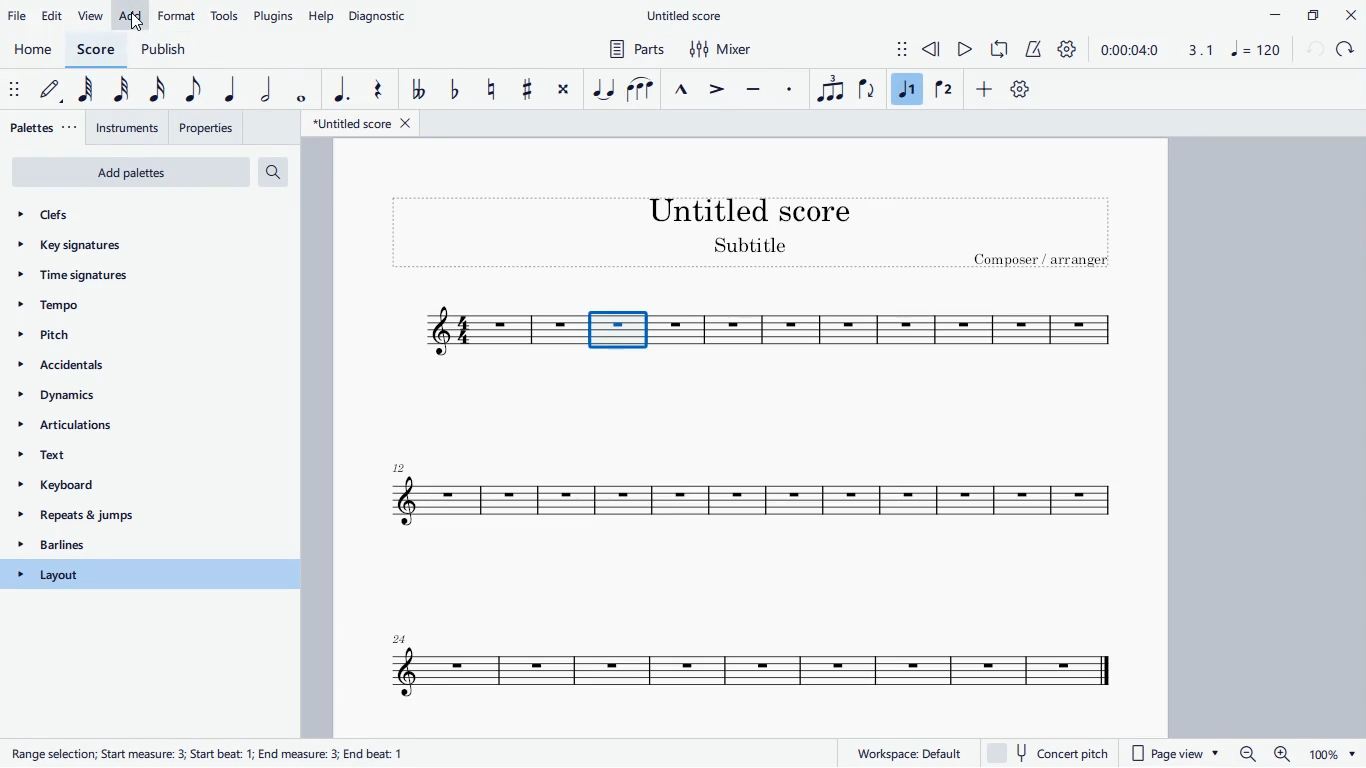 This screenshot has height=768, width=1366. Describe the element at coordinates (477, 331) in the screenshot. I see `score` at that location.